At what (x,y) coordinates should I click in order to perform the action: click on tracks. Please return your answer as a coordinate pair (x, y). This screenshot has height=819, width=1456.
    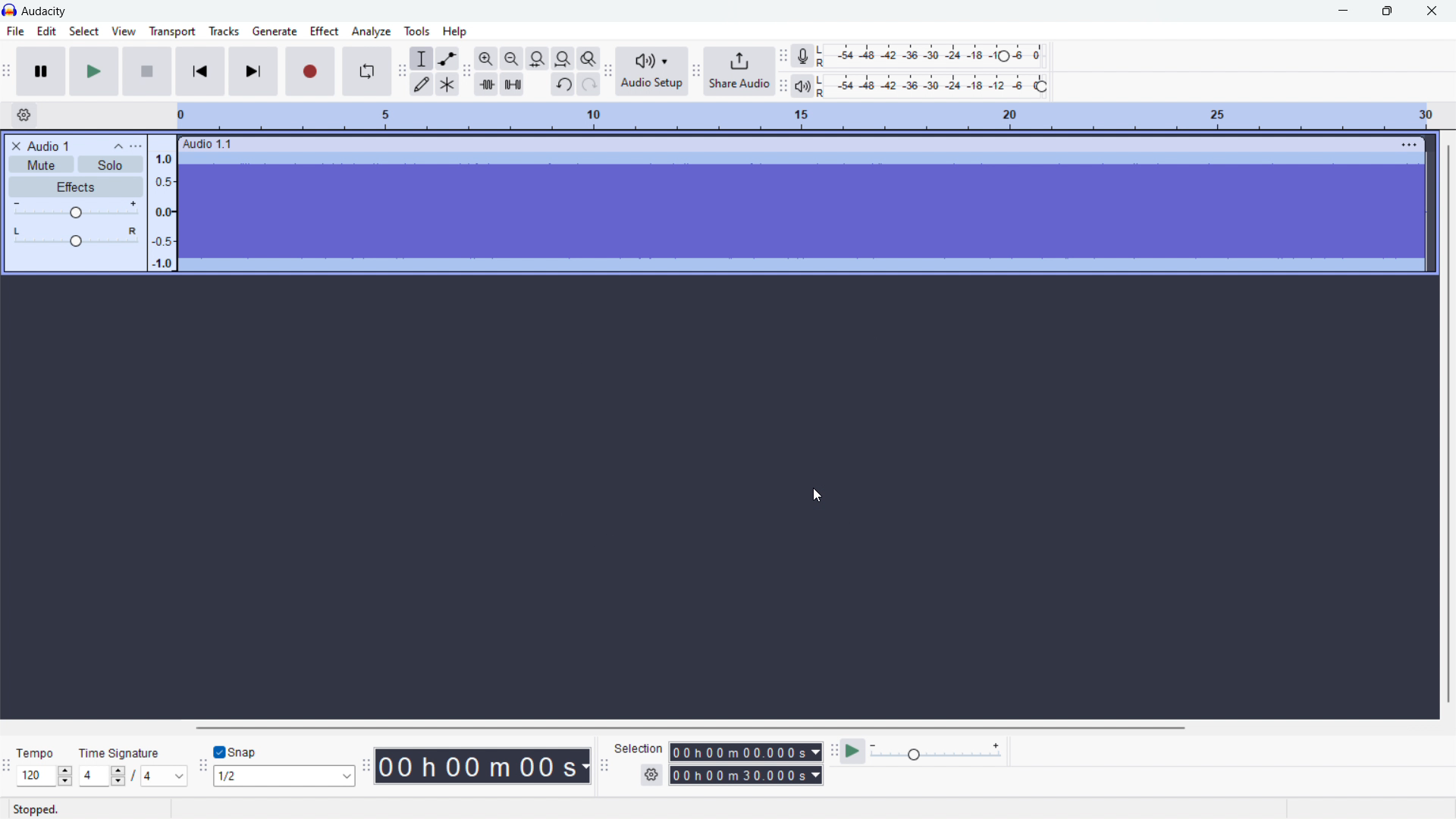
    Looking at the image, I should click on (224, 31).